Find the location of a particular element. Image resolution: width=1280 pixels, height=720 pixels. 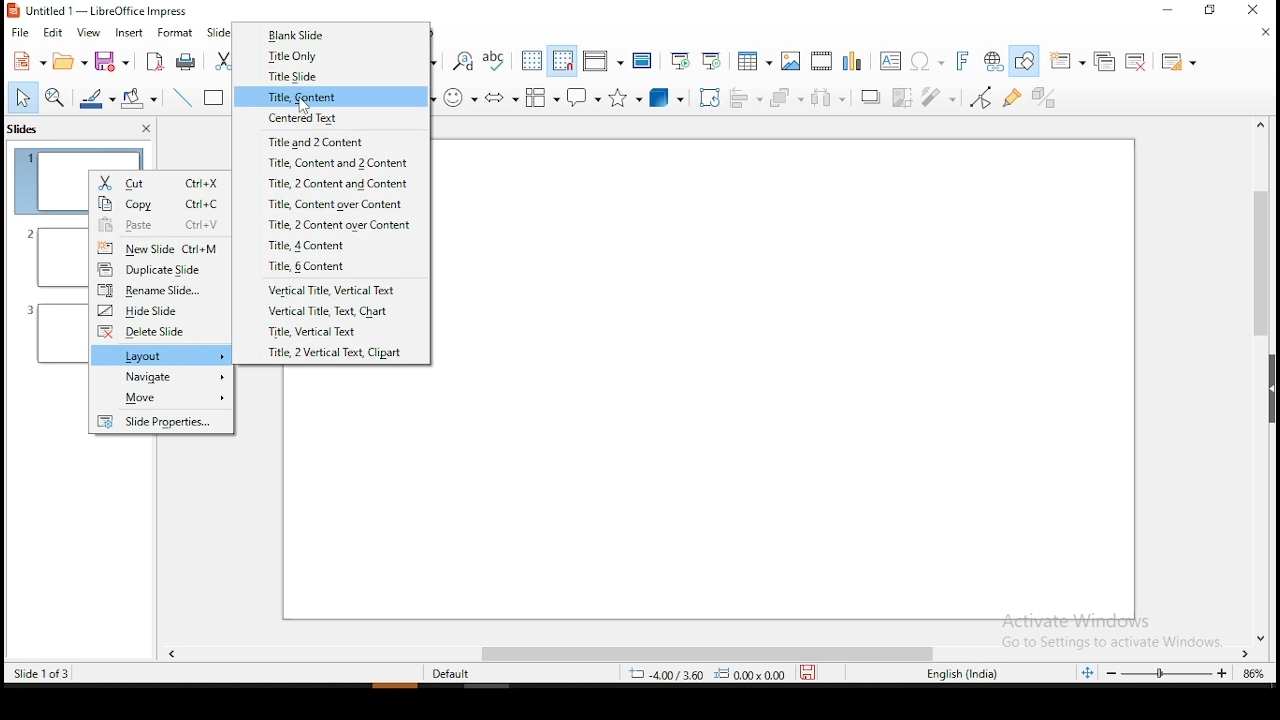

vertical title, text, chart is located at coordinates (336, 310).